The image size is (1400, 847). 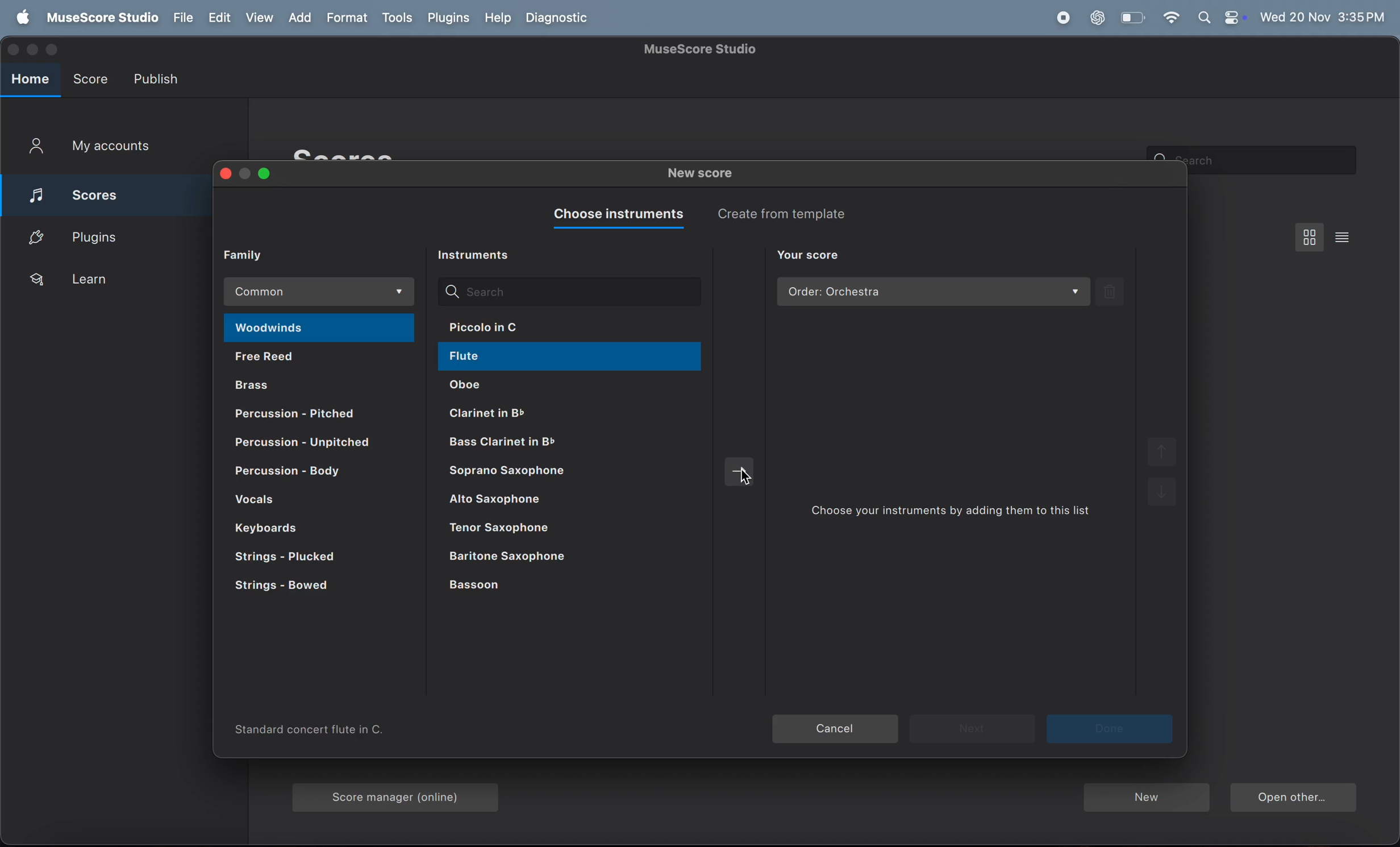 What do you see at coordinates (836, 730) in the screenshot?
I see `cancel` at bounding box center [836, 730].